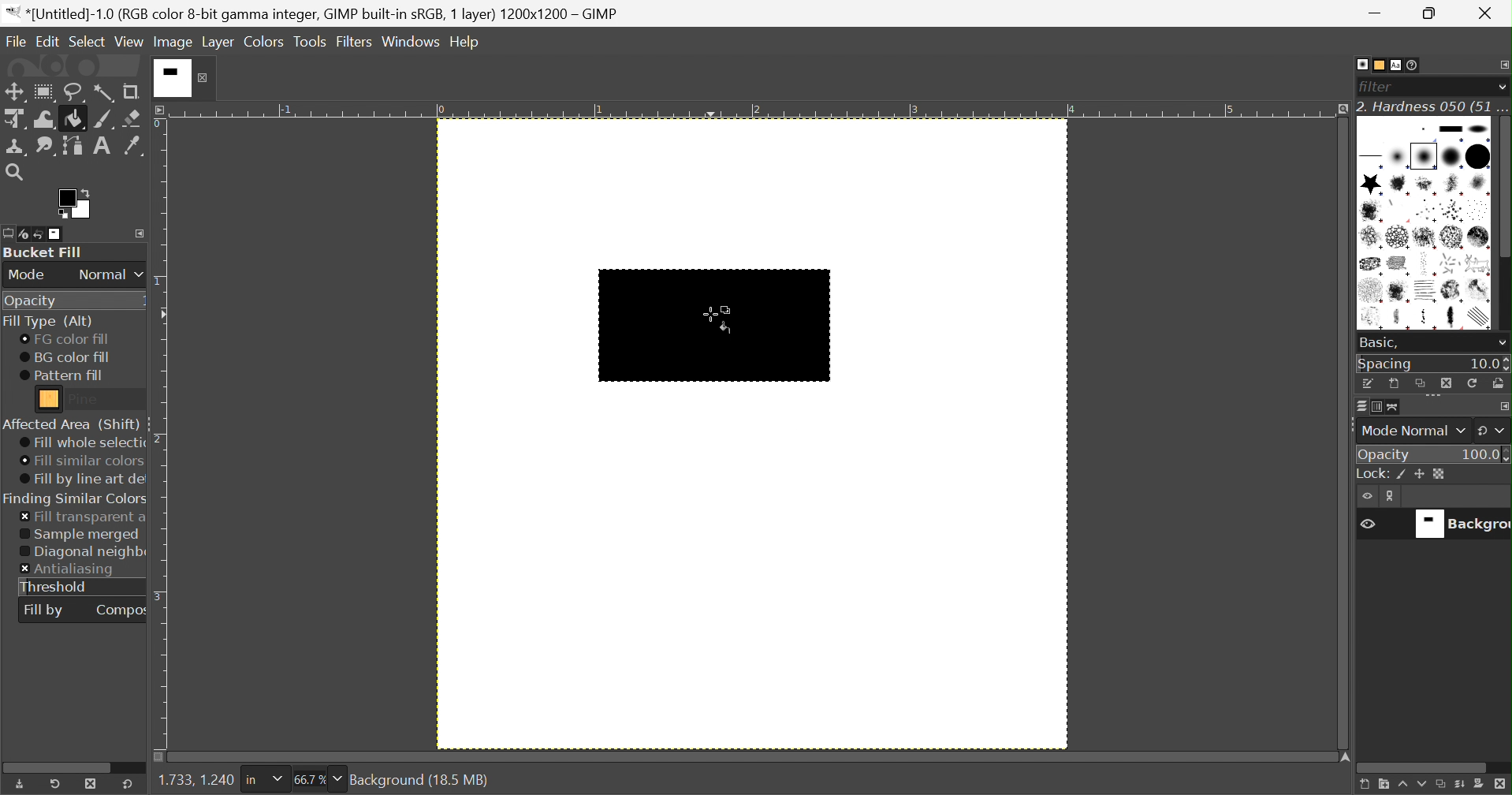 This screenshot has height=795, width=1512. I want to click on Toggle Quick Mask on/off, so click(158, 757).